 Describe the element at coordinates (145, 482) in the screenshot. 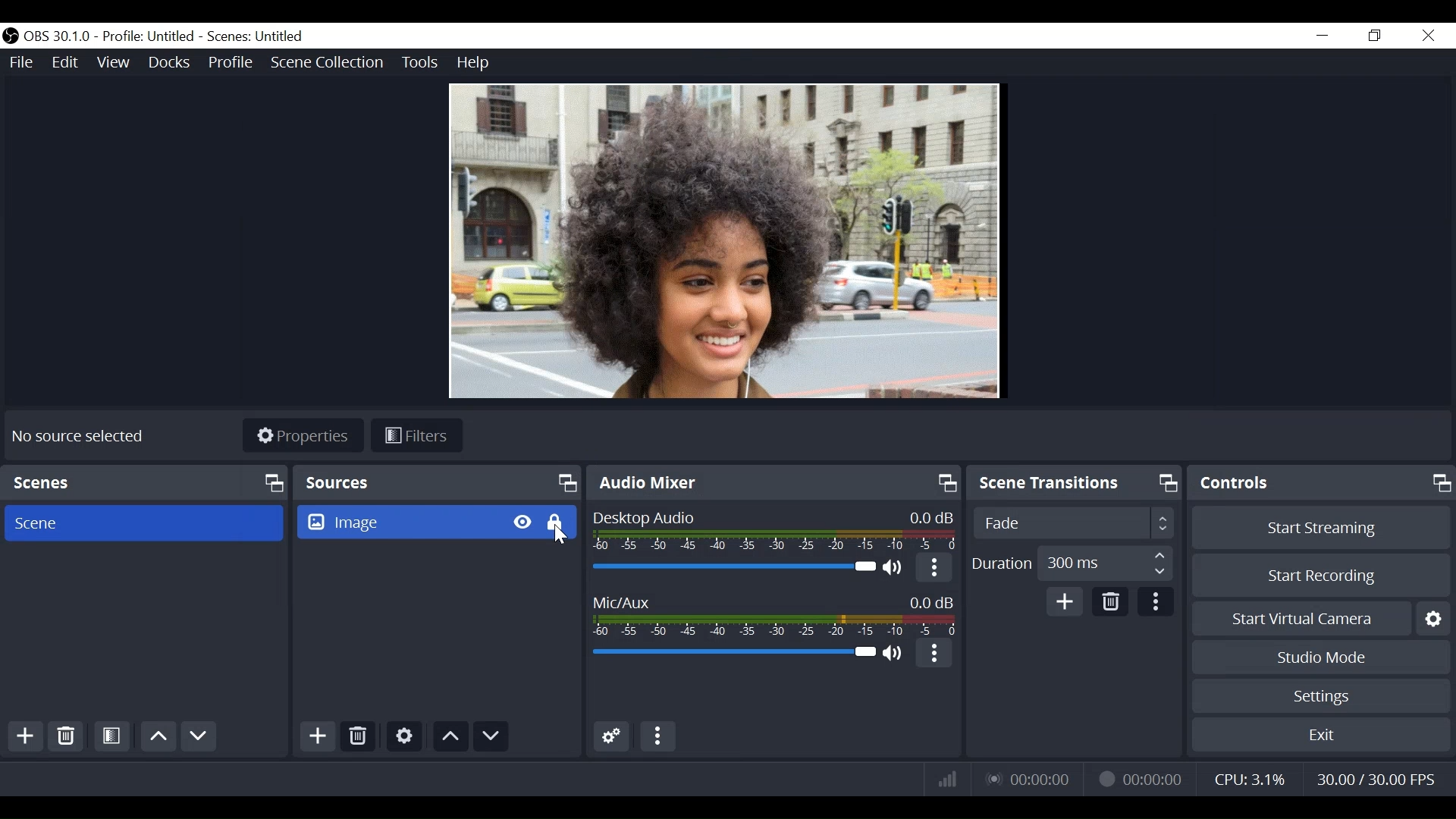

I see `Scenes` at that location.